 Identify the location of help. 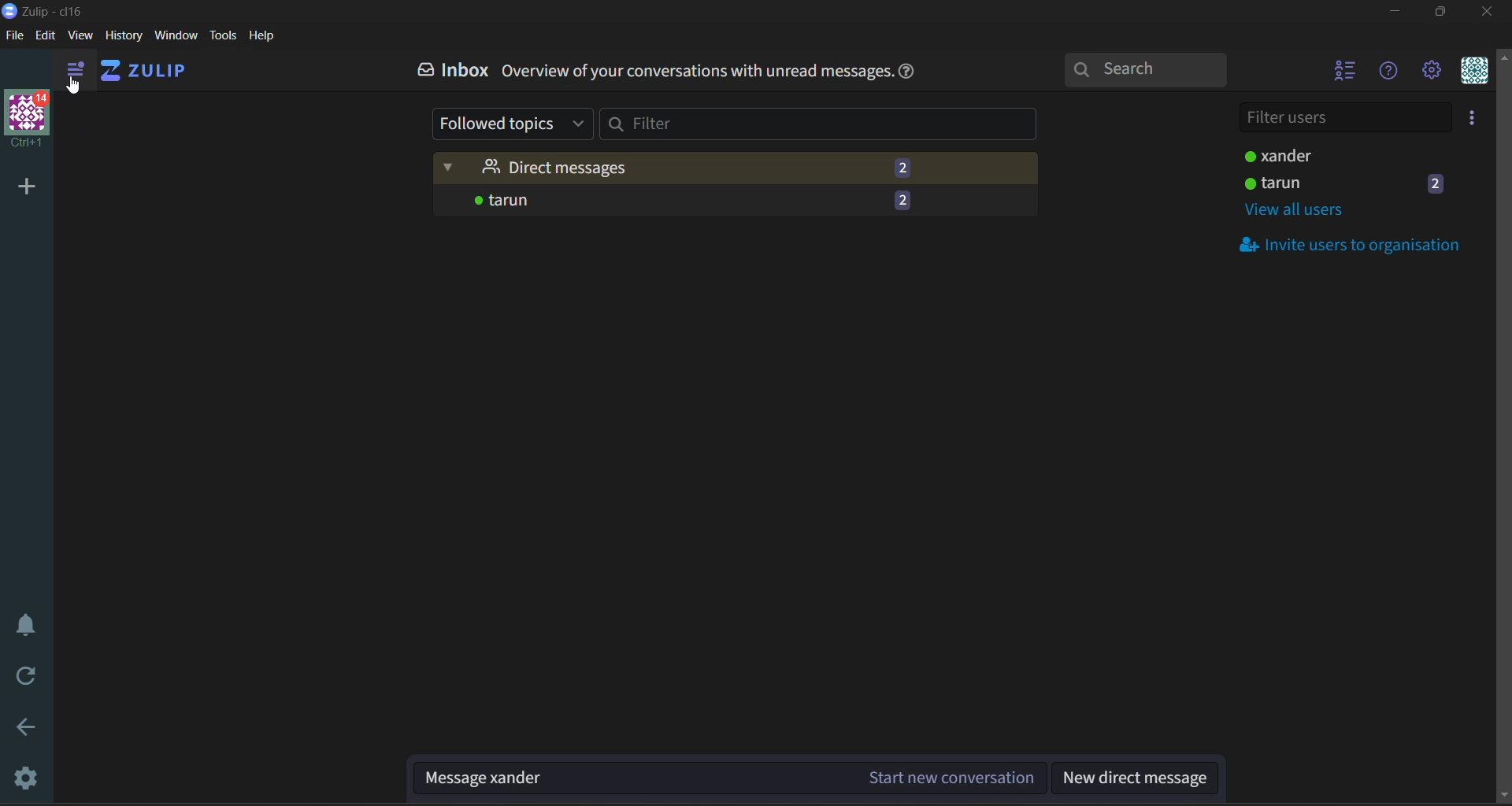
(262, 37).